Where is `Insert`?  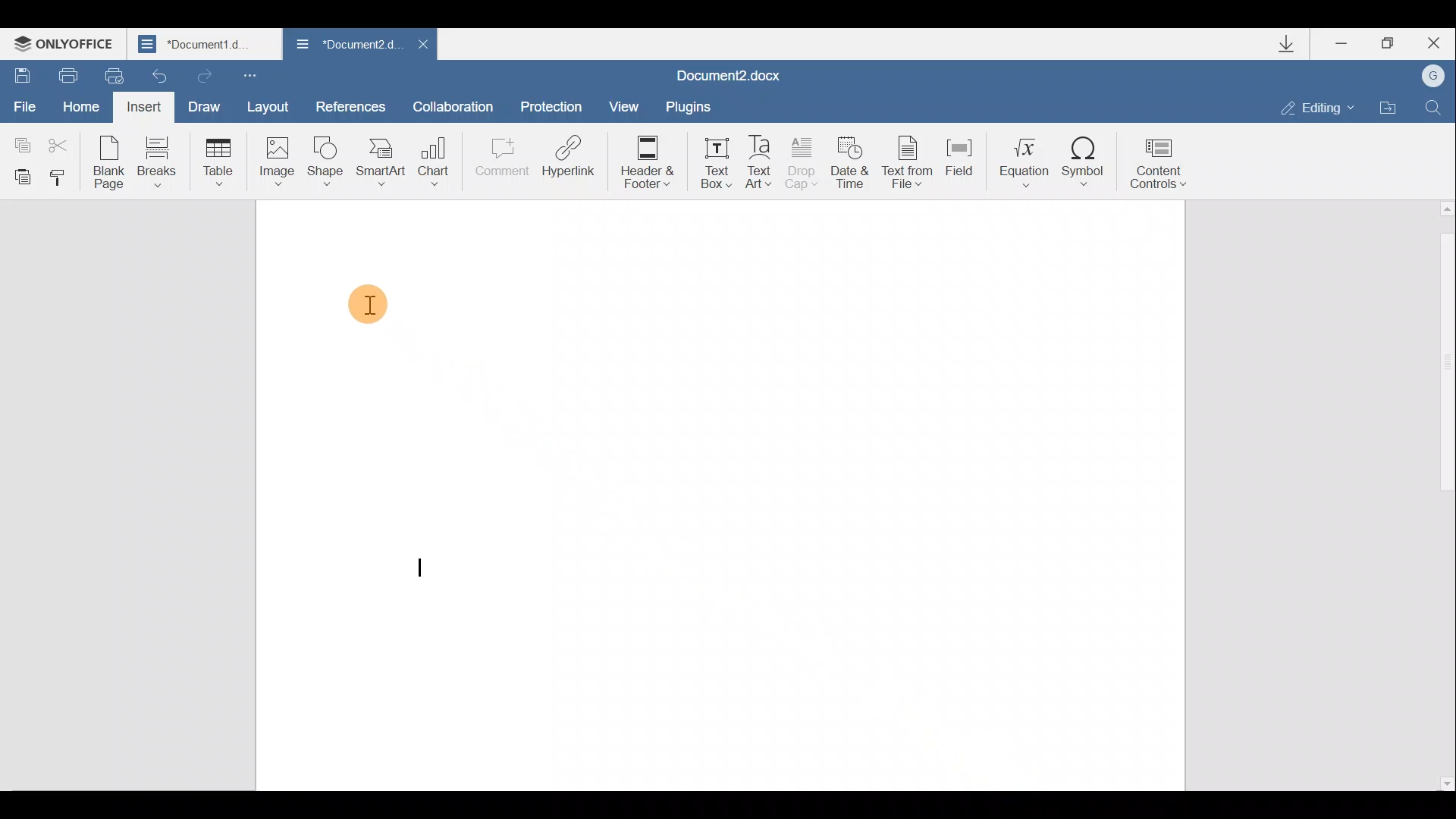 Insert is located at coordinates (142, 106).